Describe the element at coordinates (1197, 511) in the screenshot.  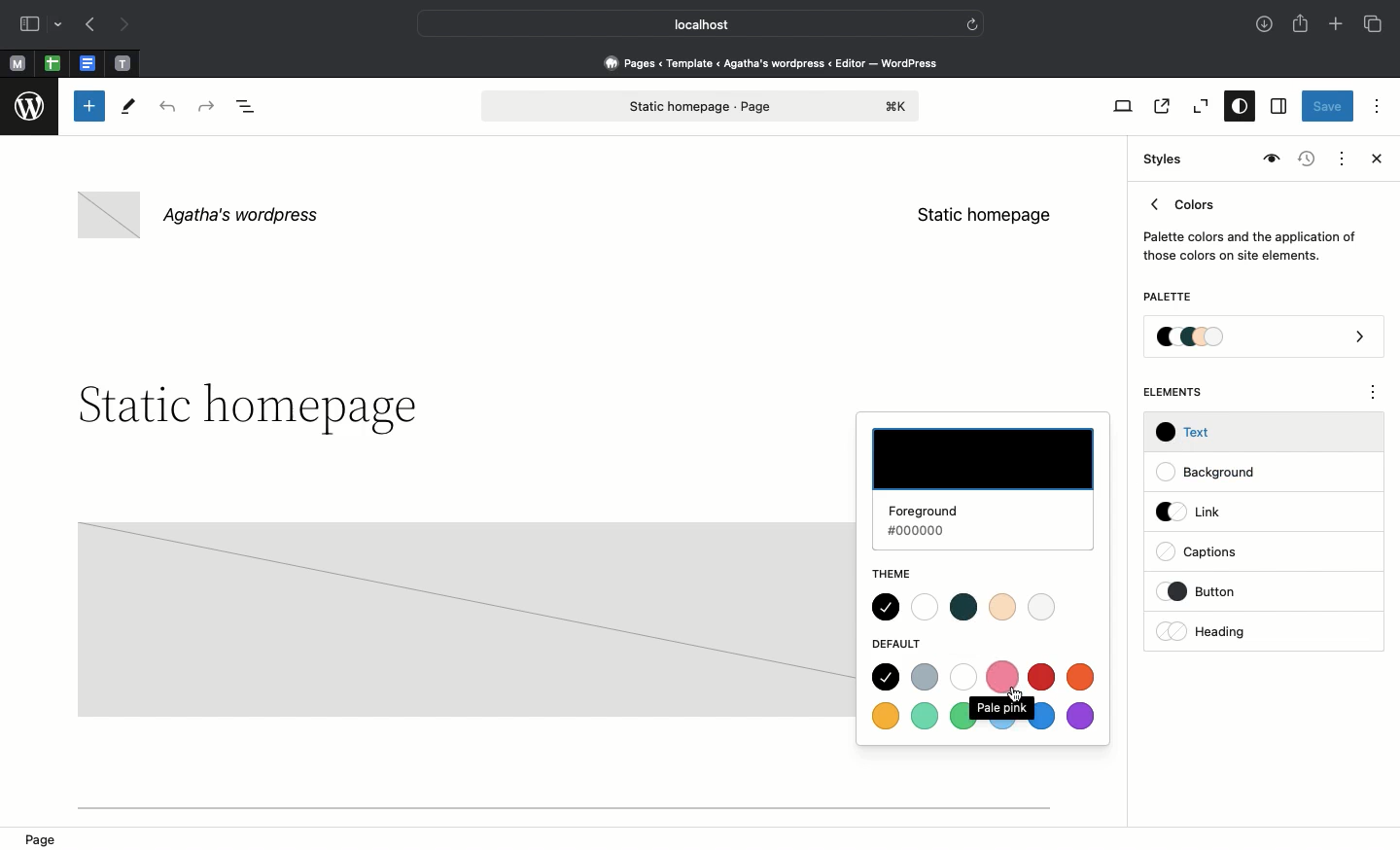
I see `Link` at that location.